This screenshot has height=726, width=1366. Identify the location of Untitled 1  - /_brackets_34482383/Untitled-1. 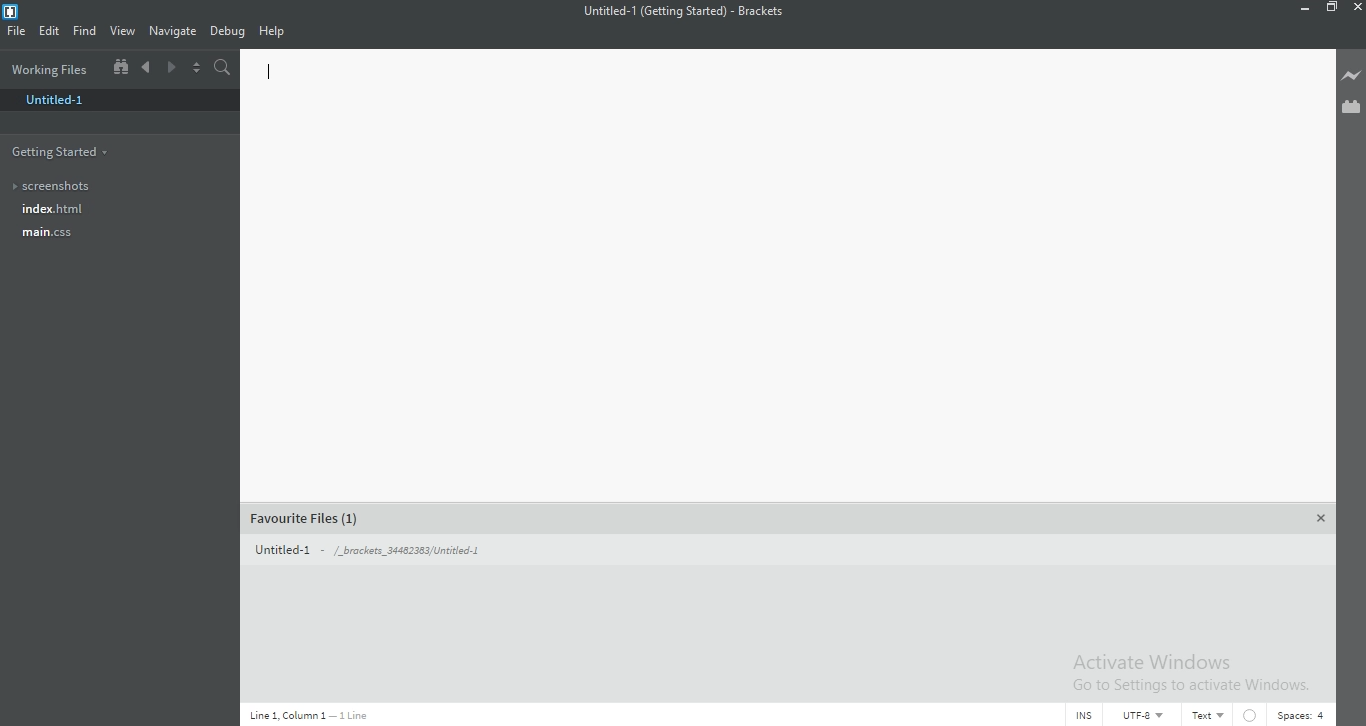
(414, 549).